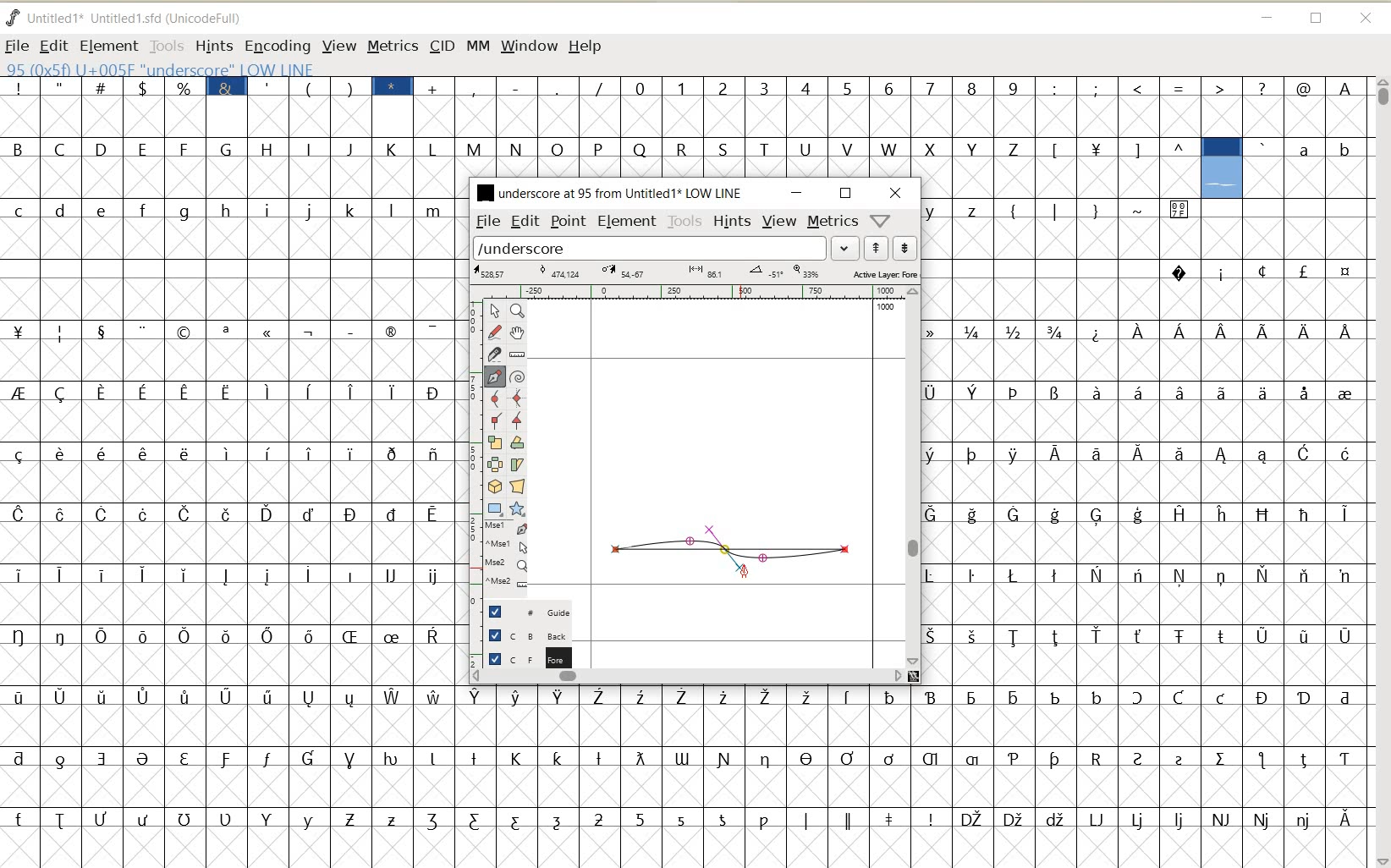 This screenshot has width=1391, height=868. Describe the element at coordinates (336, 45) in the screenshot. I see `VIEW` at that location.